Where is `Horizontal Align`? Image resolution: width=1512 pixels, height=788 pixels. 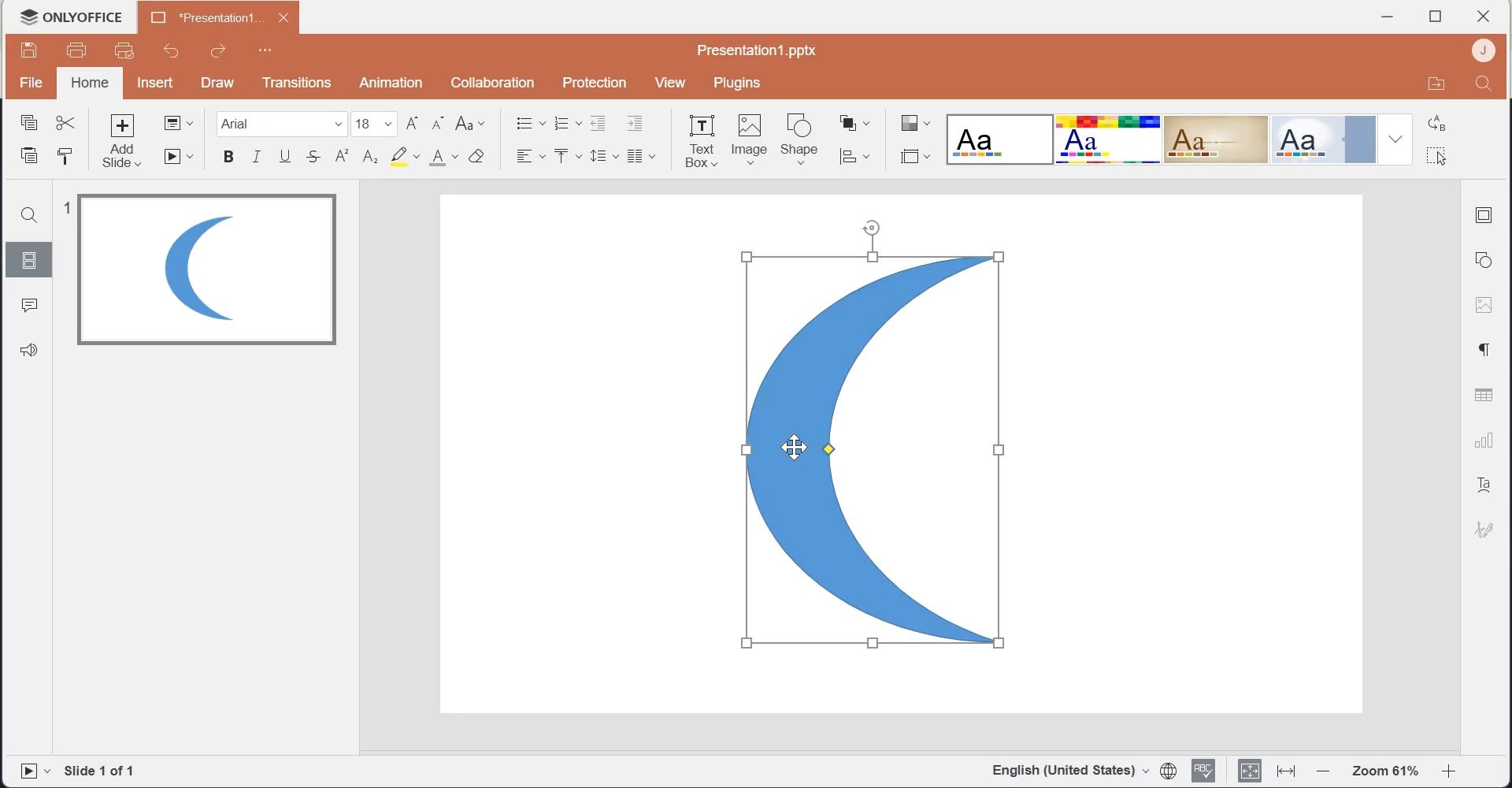 Horizontal Align is located at coordinates (530, 155).